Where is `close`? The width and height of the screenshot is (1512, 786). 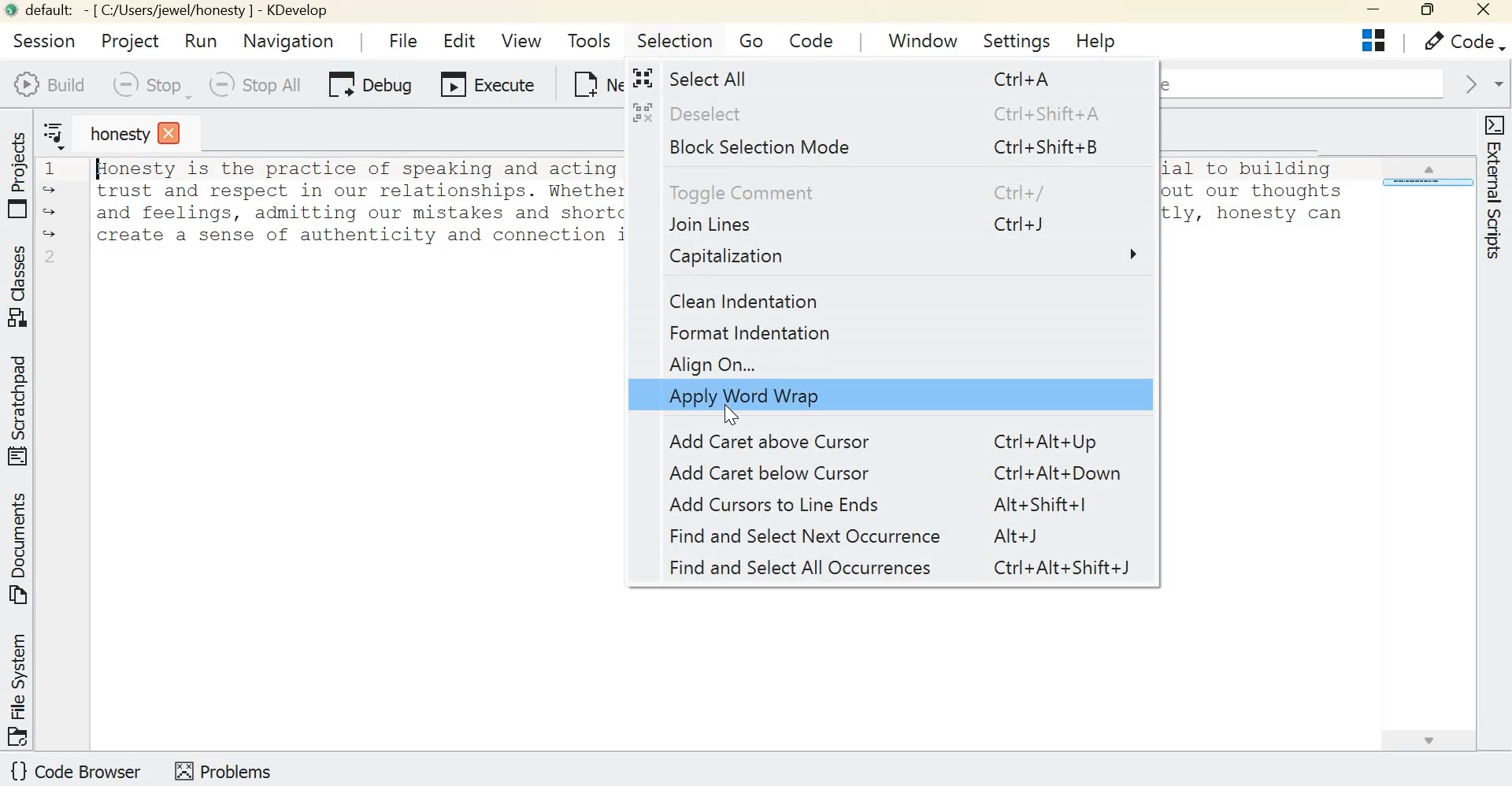
close is located at coordinates (1485, 13).